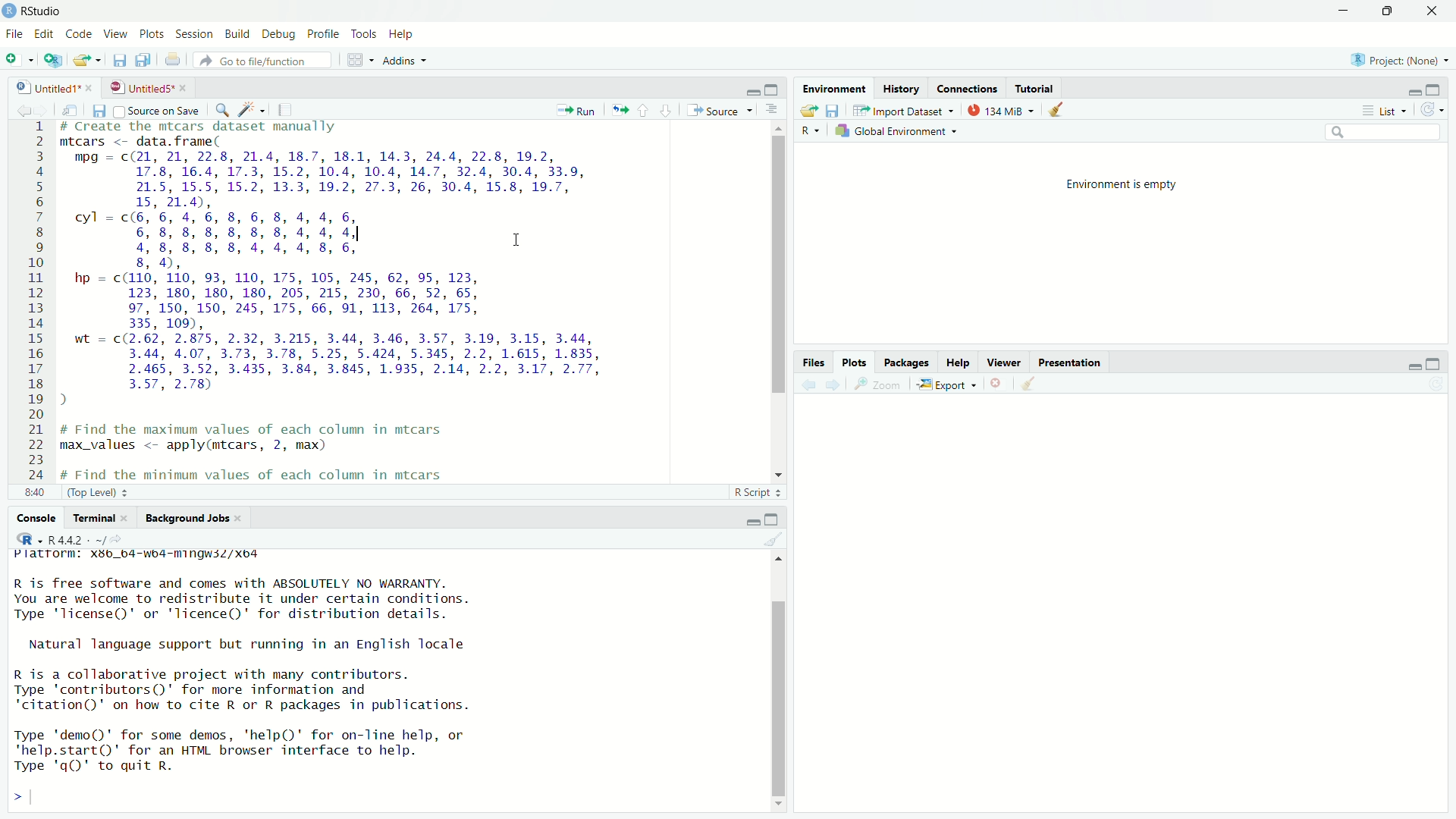 This screenshot has width=1456, height=819. Describe the element at coordinates (1082, 362) in the screenshot. I see `Presentation` at that location.